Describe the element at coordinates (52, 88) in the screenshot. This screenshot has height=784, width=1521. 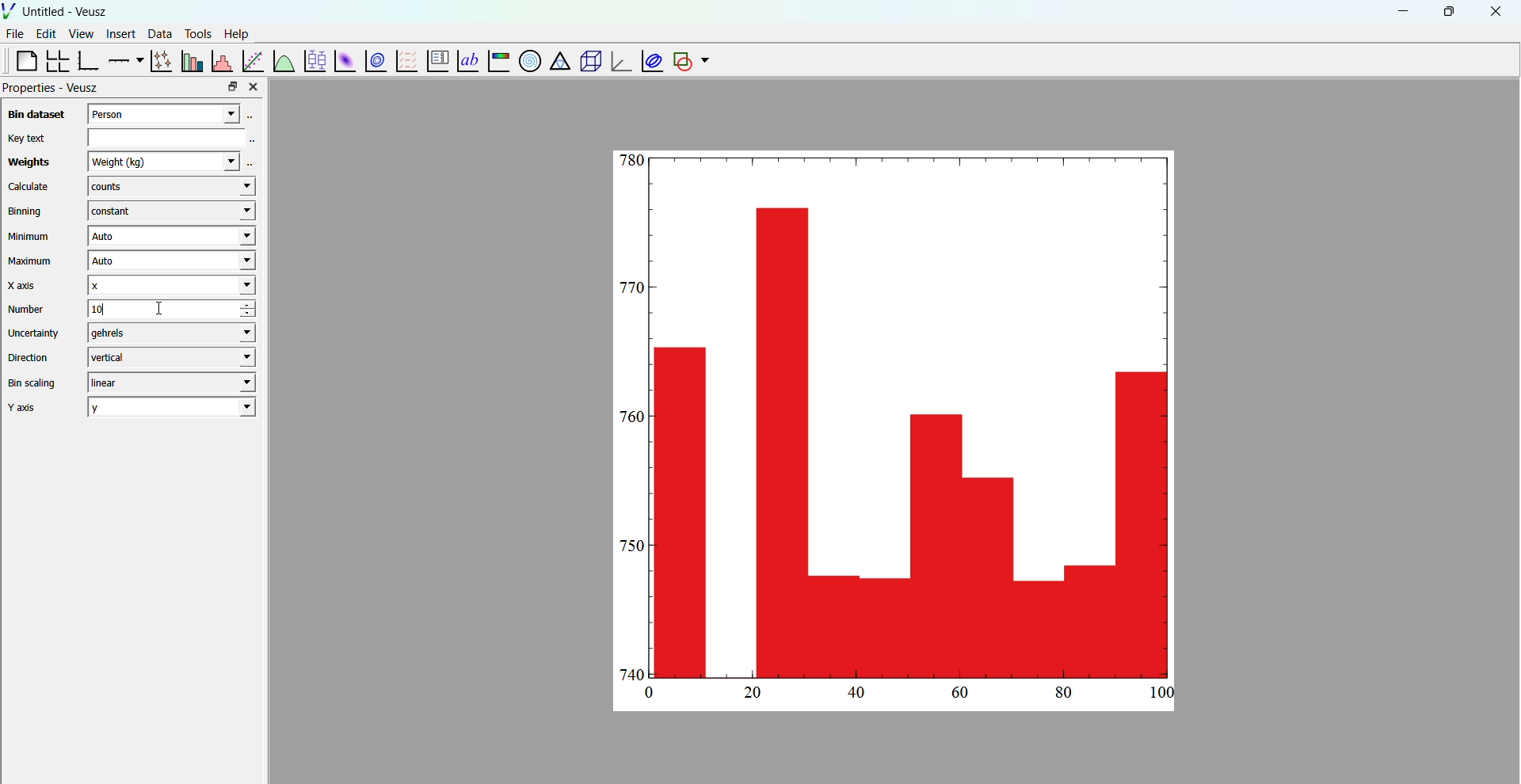
I see `Properties - Veusz` at that location.